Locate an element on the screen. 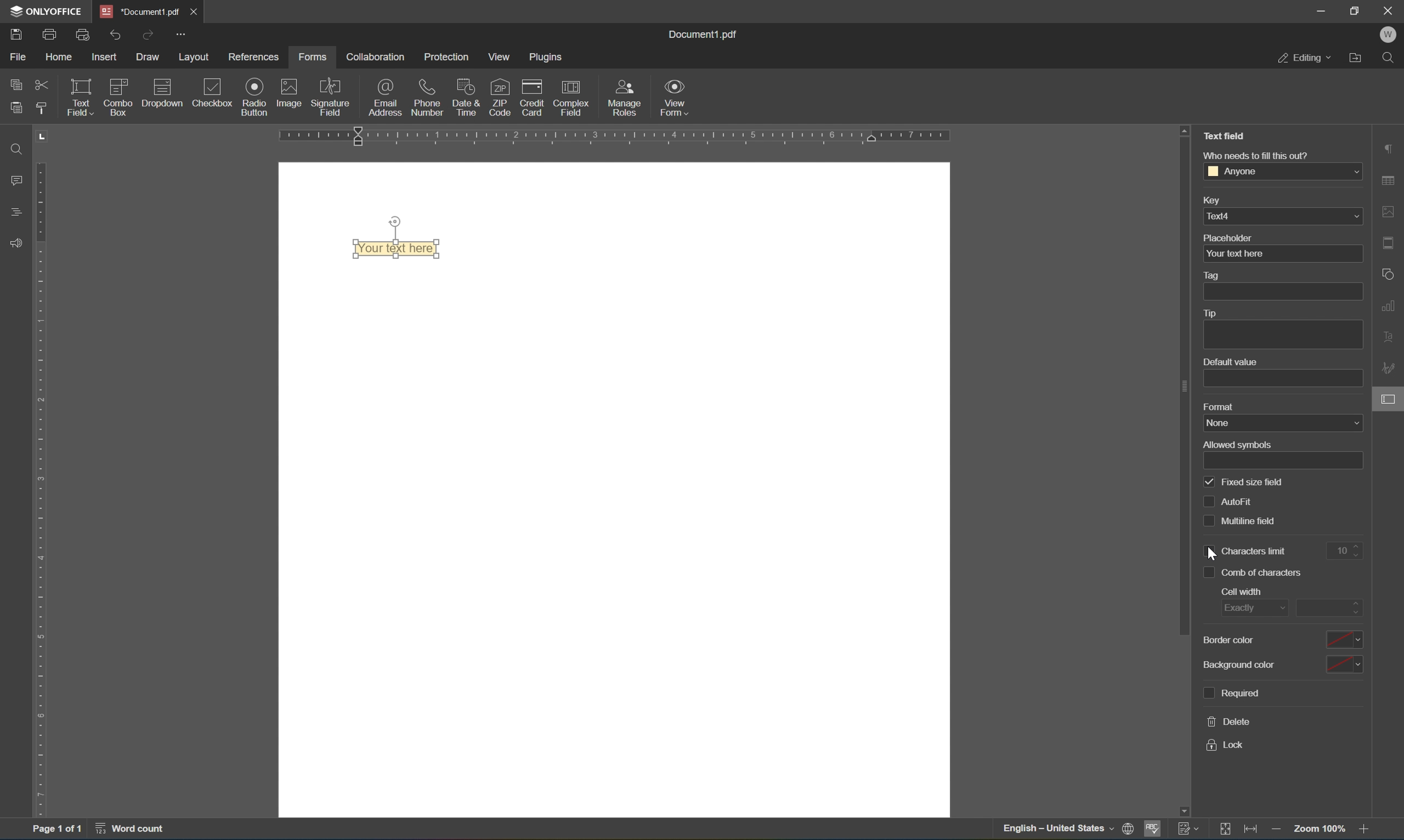 The image size is (1404, 840). checkbox is located at coordinates (1208, 548).